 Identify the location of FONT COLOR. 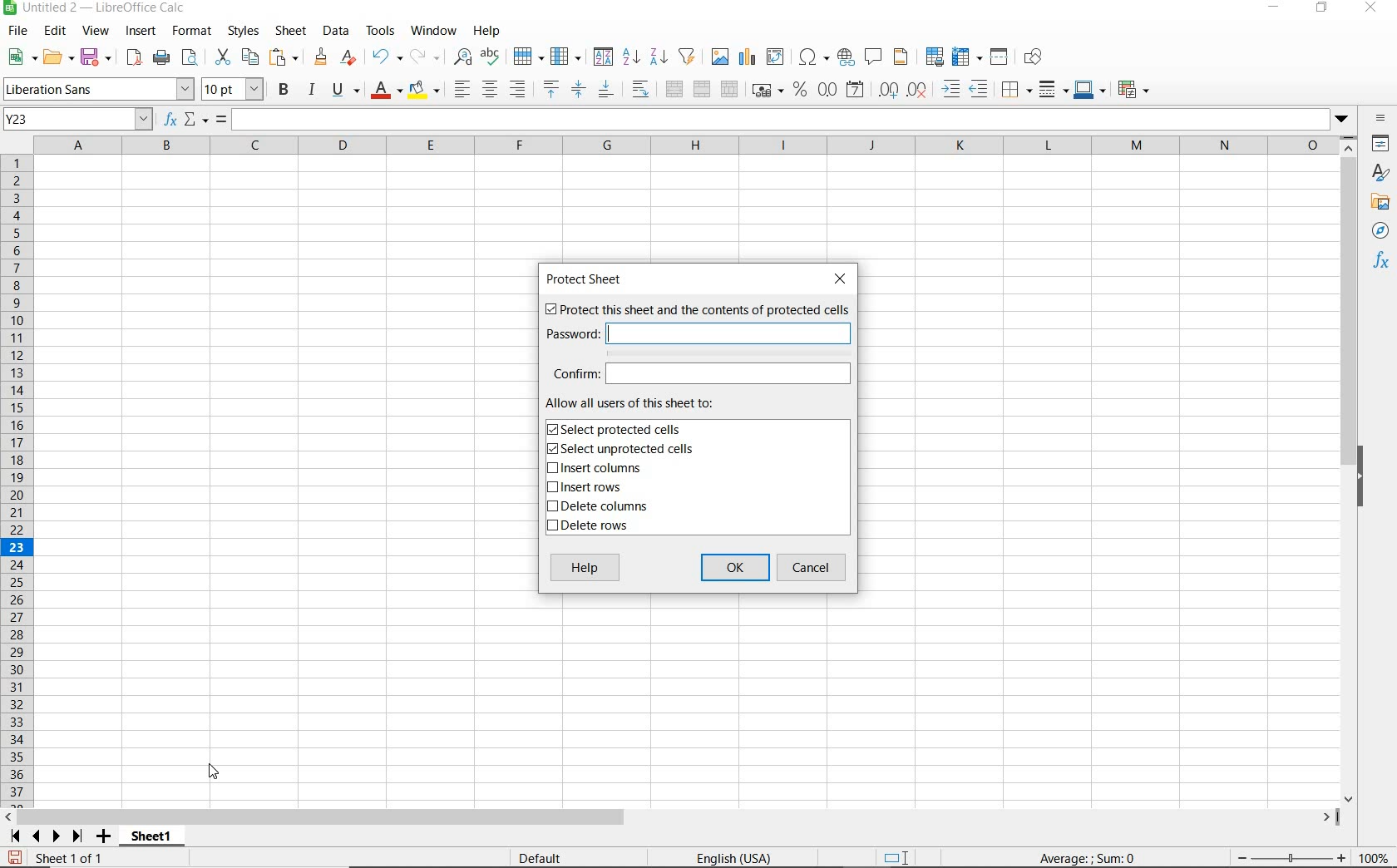
(386, 91).